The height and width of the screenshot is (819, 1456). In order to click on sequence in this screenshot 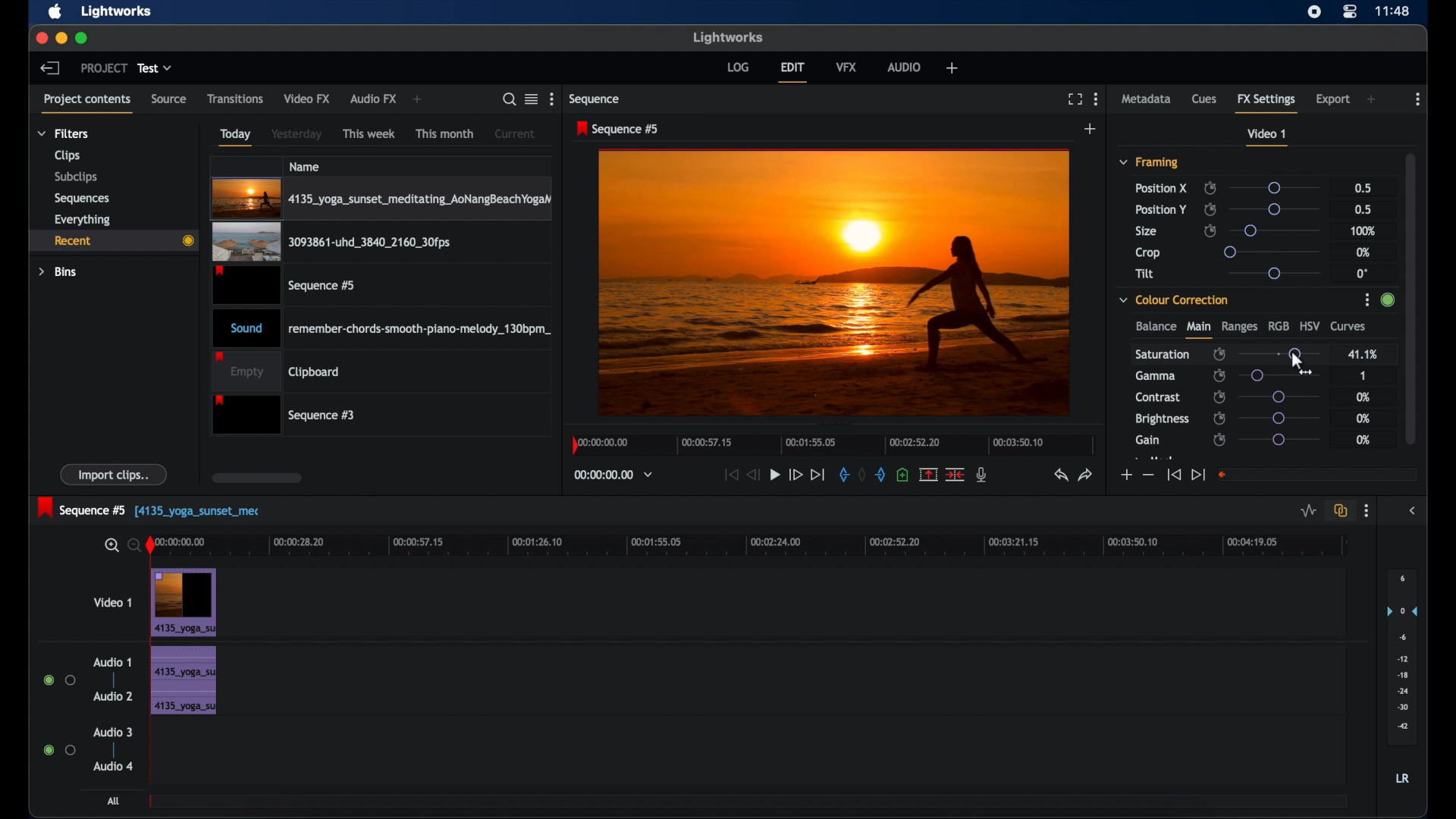, I will do `click(596, 99)`.